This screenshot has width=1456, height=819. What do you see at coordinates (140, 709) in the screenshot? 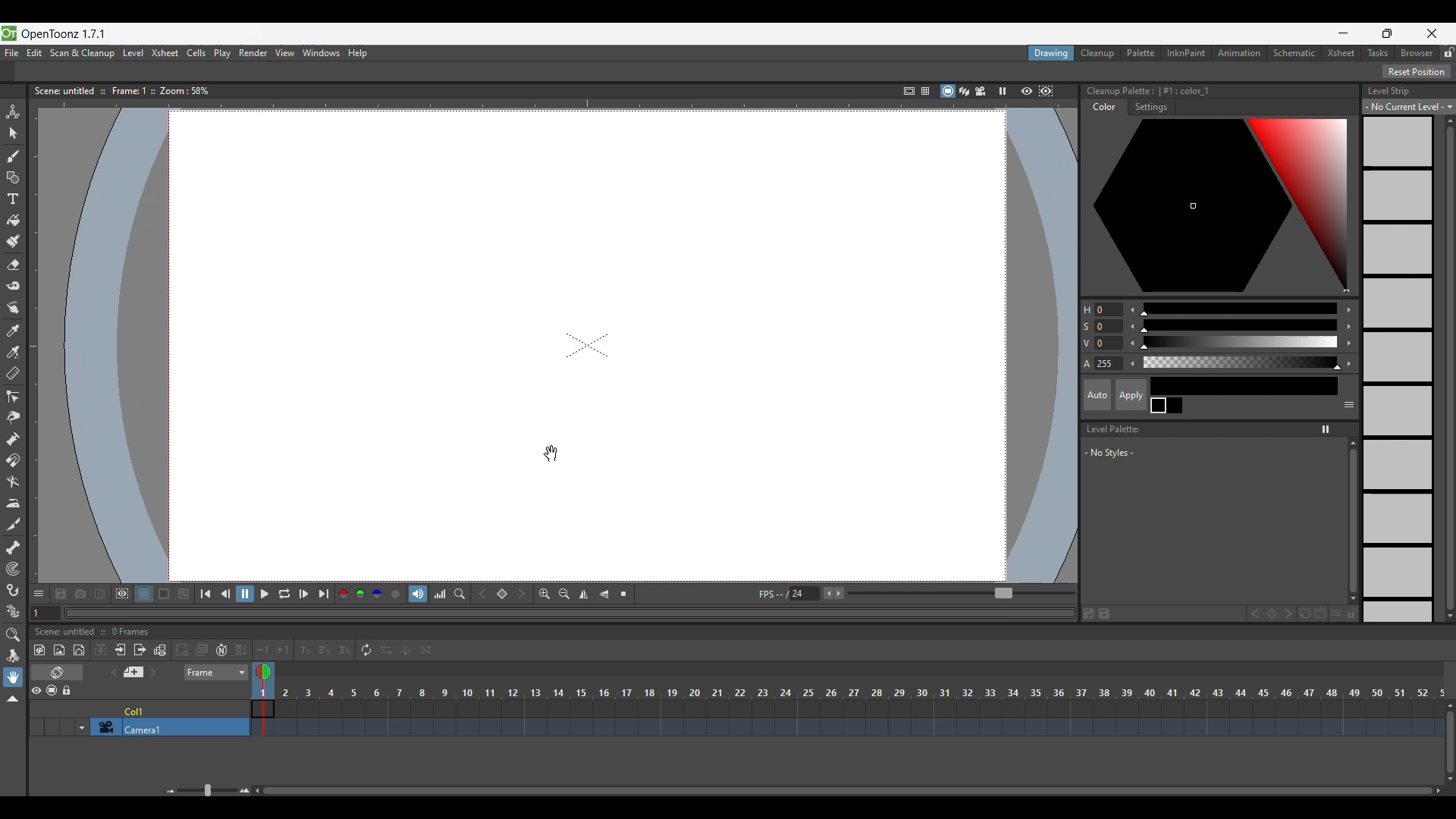
I see `Click to select column` at bounding box center [140, 709].